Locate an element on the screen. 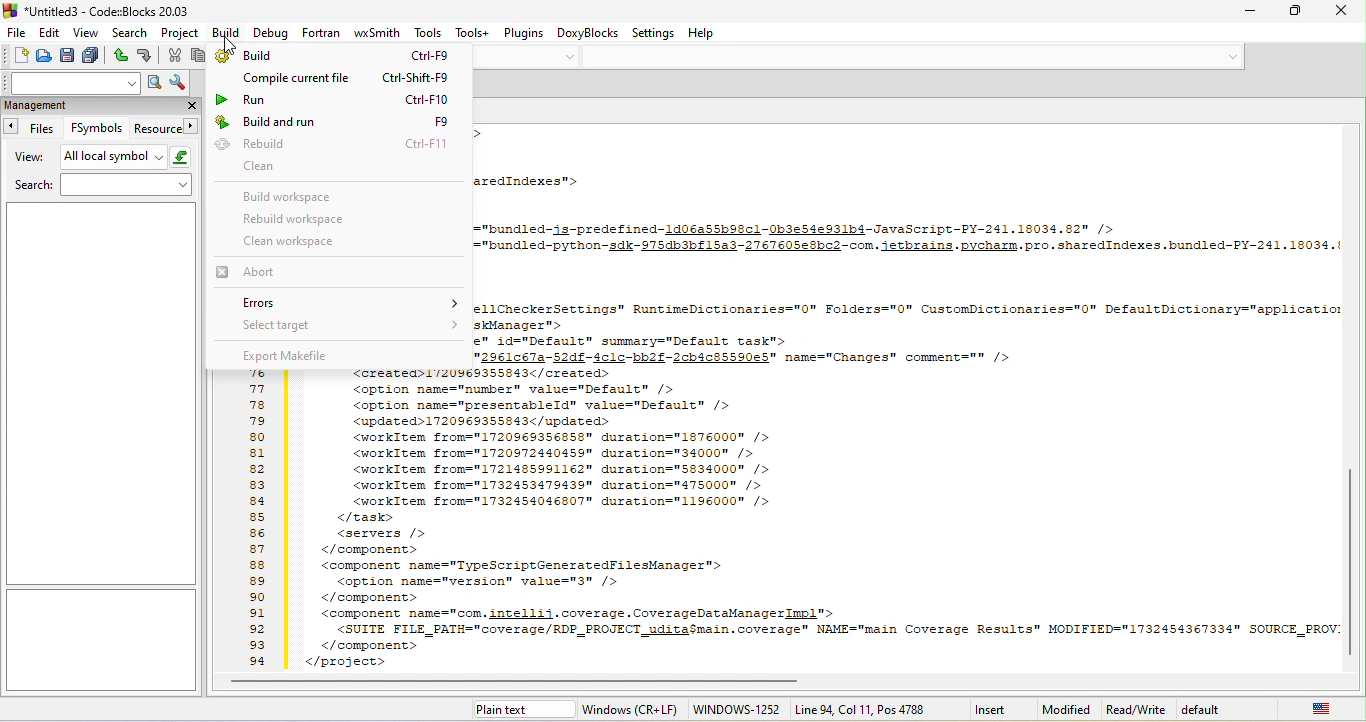 The height and width of the screenshot is (722, 1366). rebuild workspace is located at coordinates (294, 218).